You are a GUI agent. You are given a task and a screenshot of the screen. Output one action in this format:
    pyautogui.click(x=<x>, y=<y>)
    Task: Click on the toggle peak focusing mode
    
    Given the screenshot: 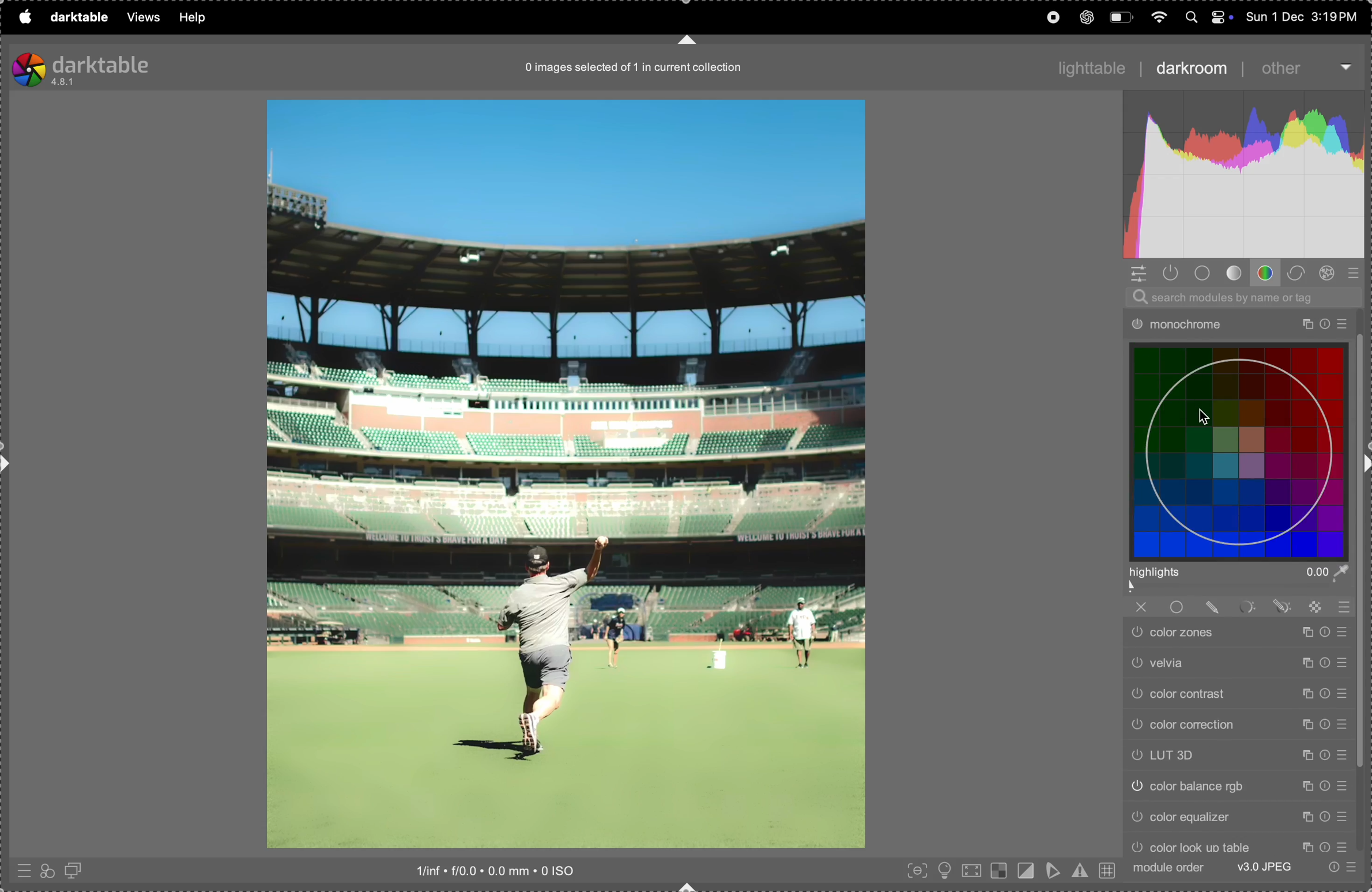 What is the action you would take?
    pyautogui.click(x=914, y=871)
    